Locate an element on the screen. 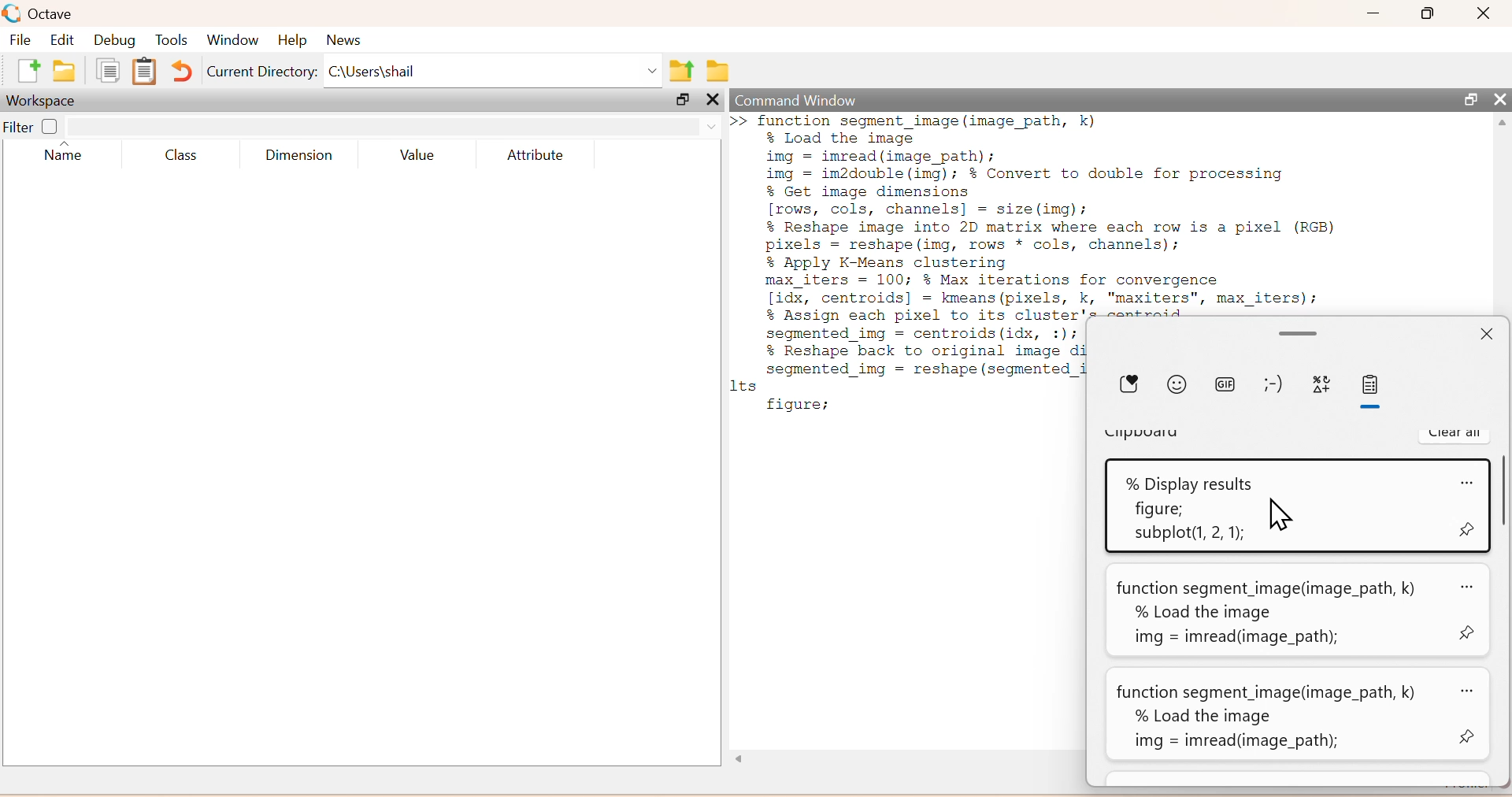  paste is located at coordinates (144, 71).